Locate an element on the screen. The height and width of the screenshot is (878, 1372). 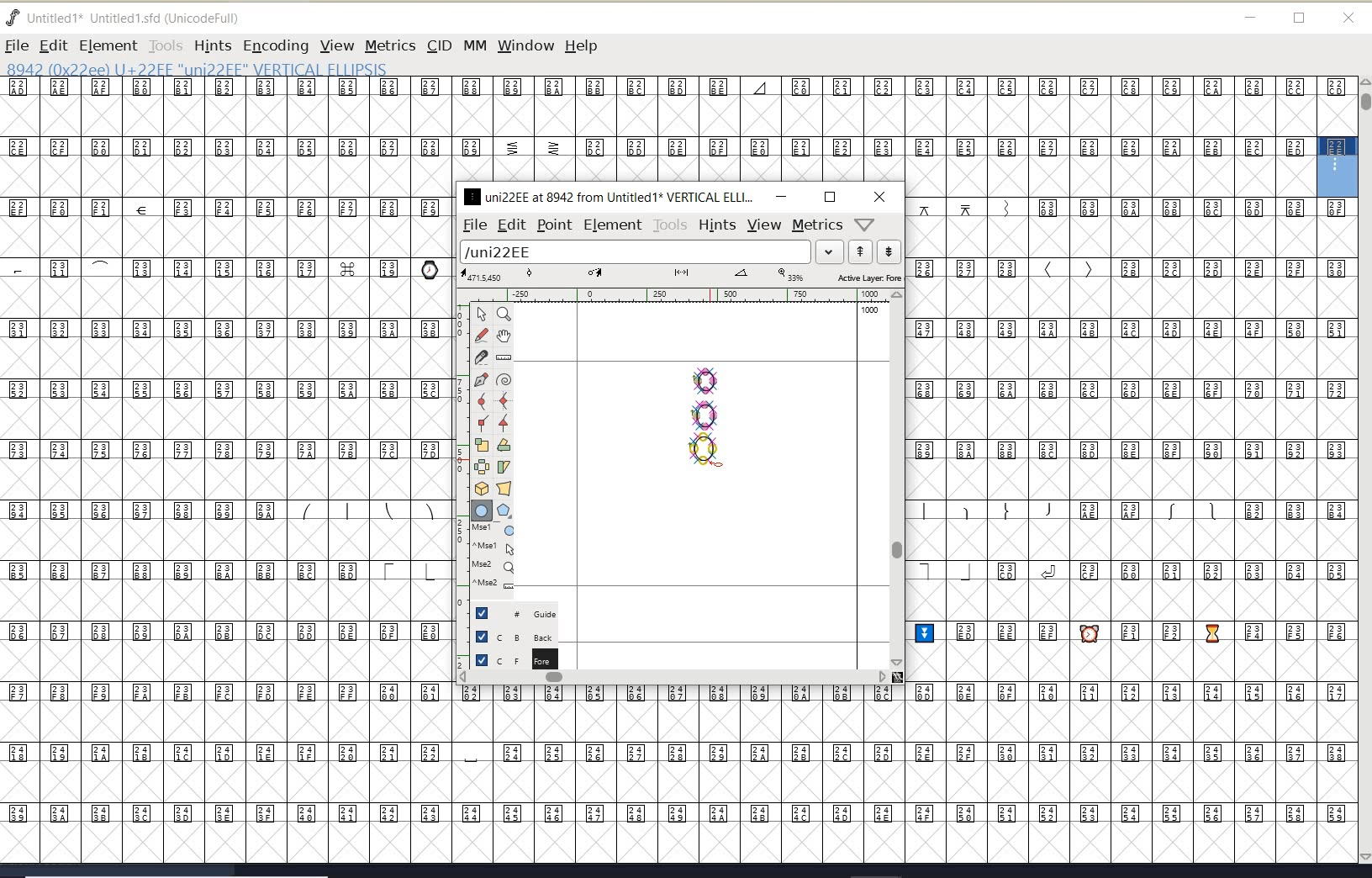
file is located at coordinates (472, 225).